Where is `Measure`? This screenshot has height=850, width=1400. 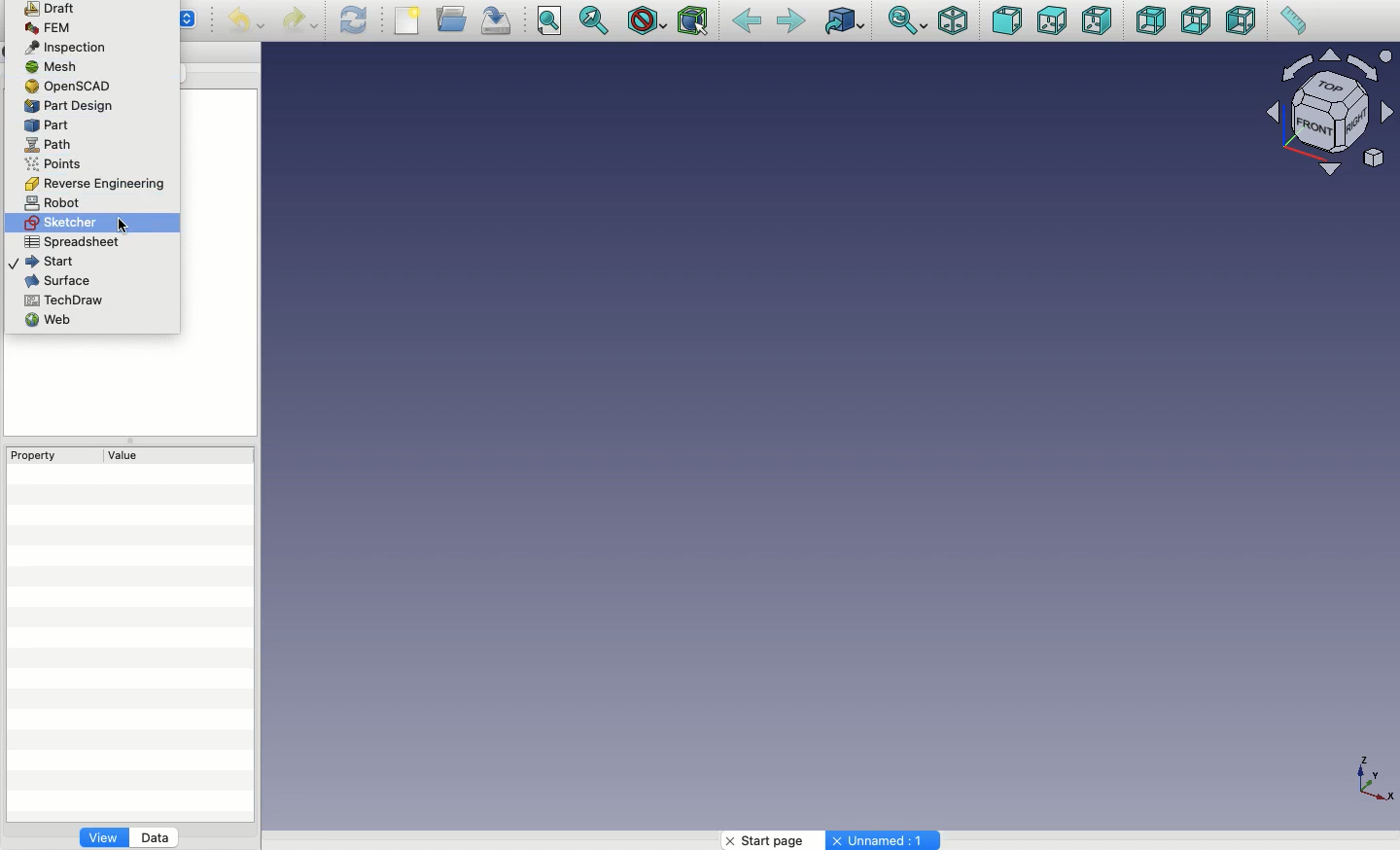 Measure is located at coordinates (1291, 22).